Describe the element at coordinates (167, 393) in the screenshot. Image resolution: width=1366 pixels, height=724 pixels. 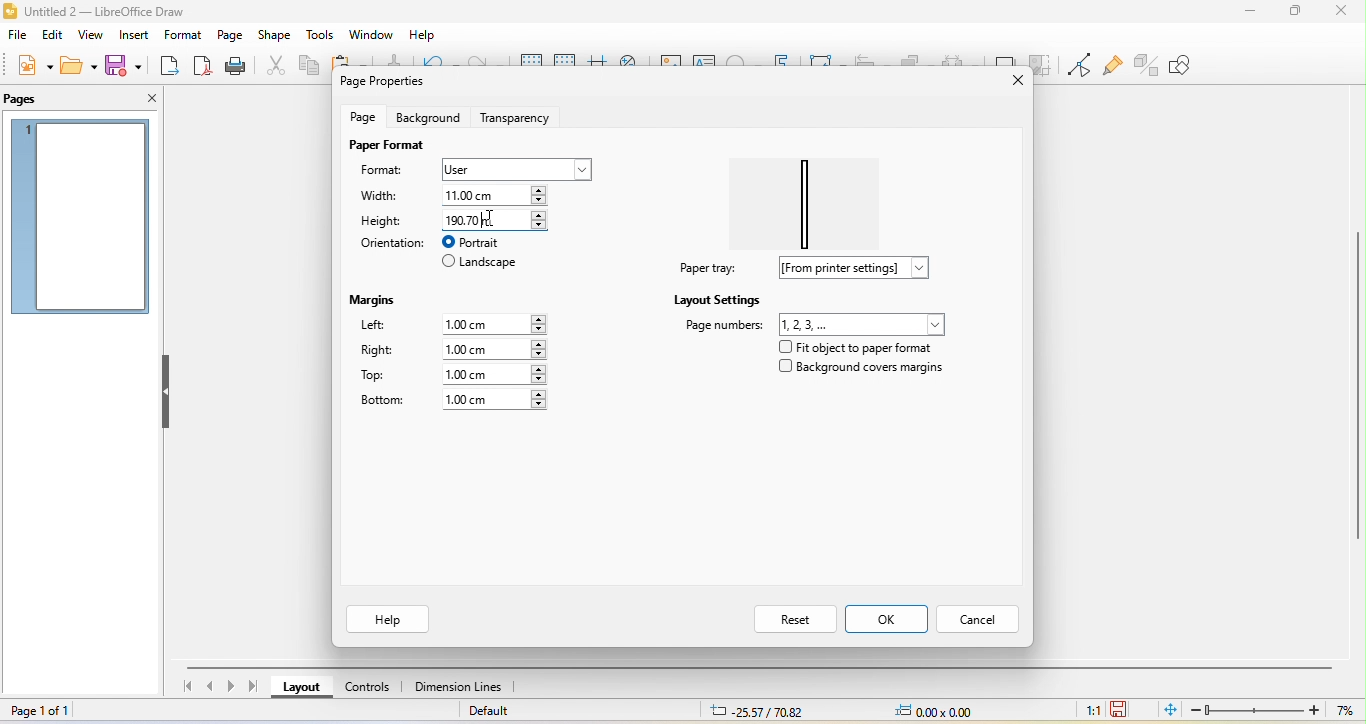
I see `hide` at that location.